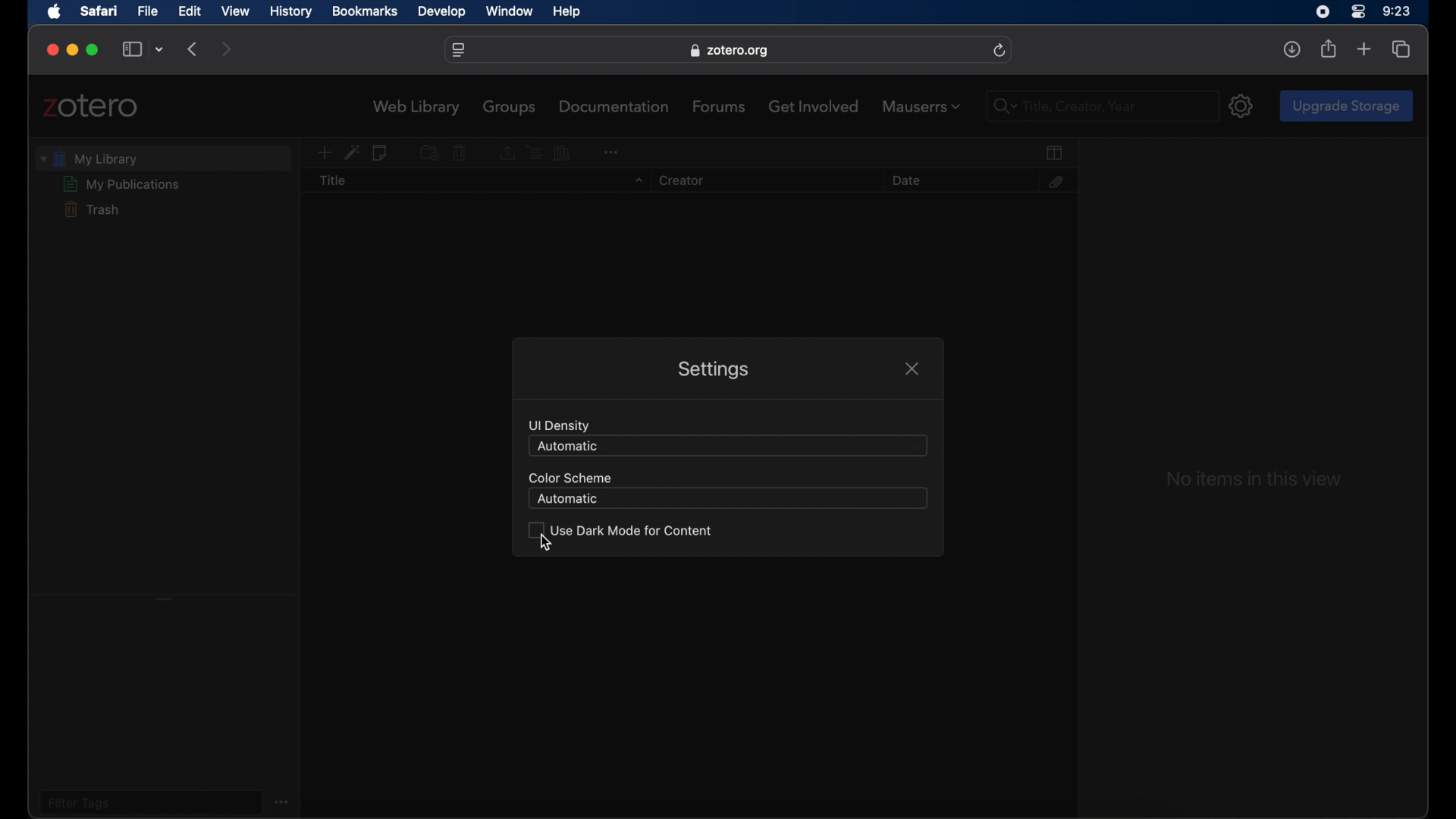 This screenshot has height=819, width=1456. What do you see at coordinates (324, 153) in the screenshot?
I see `new item` at bounding box center [324, 153].